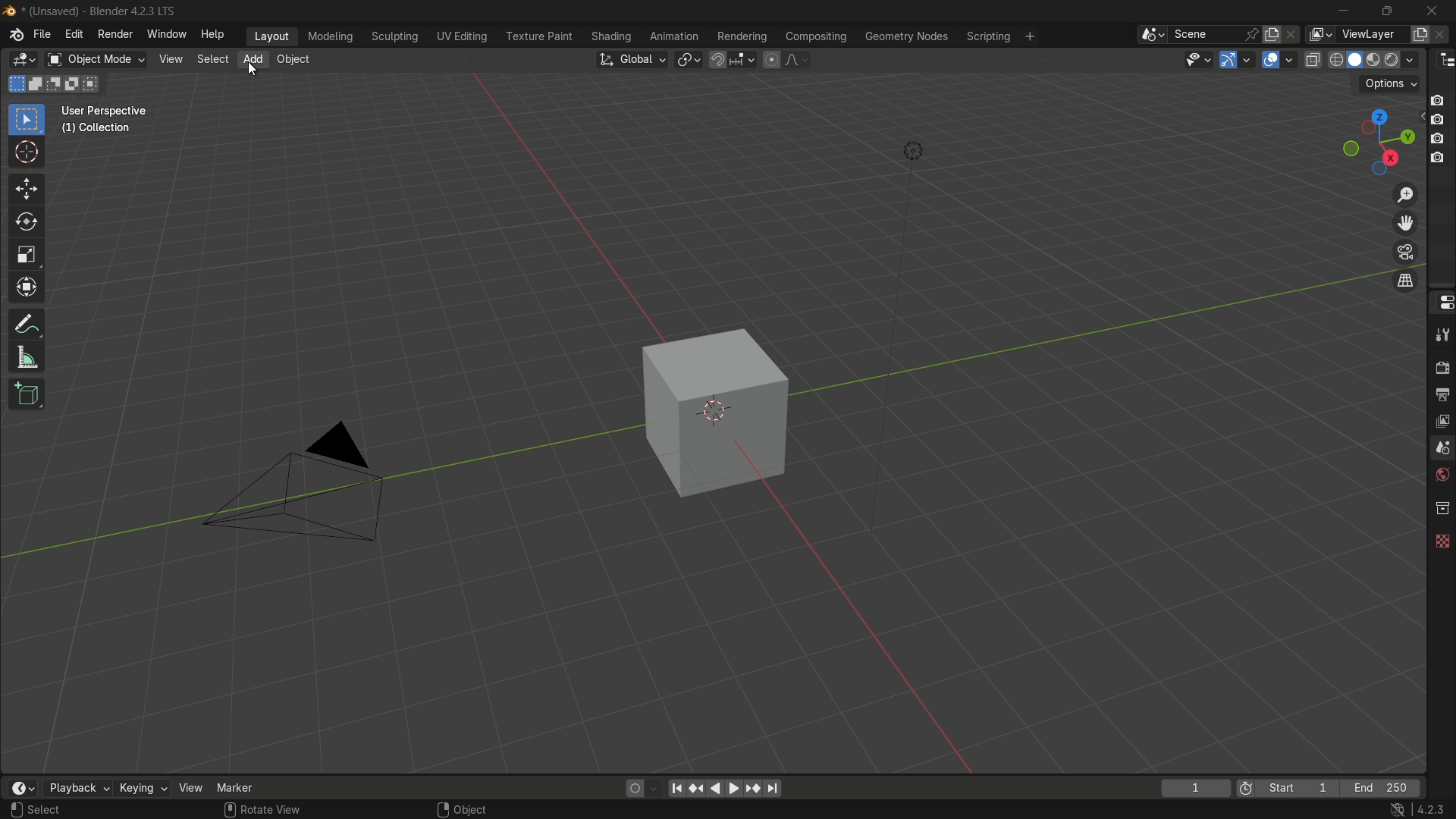 The width and height of the screenshot is (1456, 819). I want to click on select, so click(212, 59).